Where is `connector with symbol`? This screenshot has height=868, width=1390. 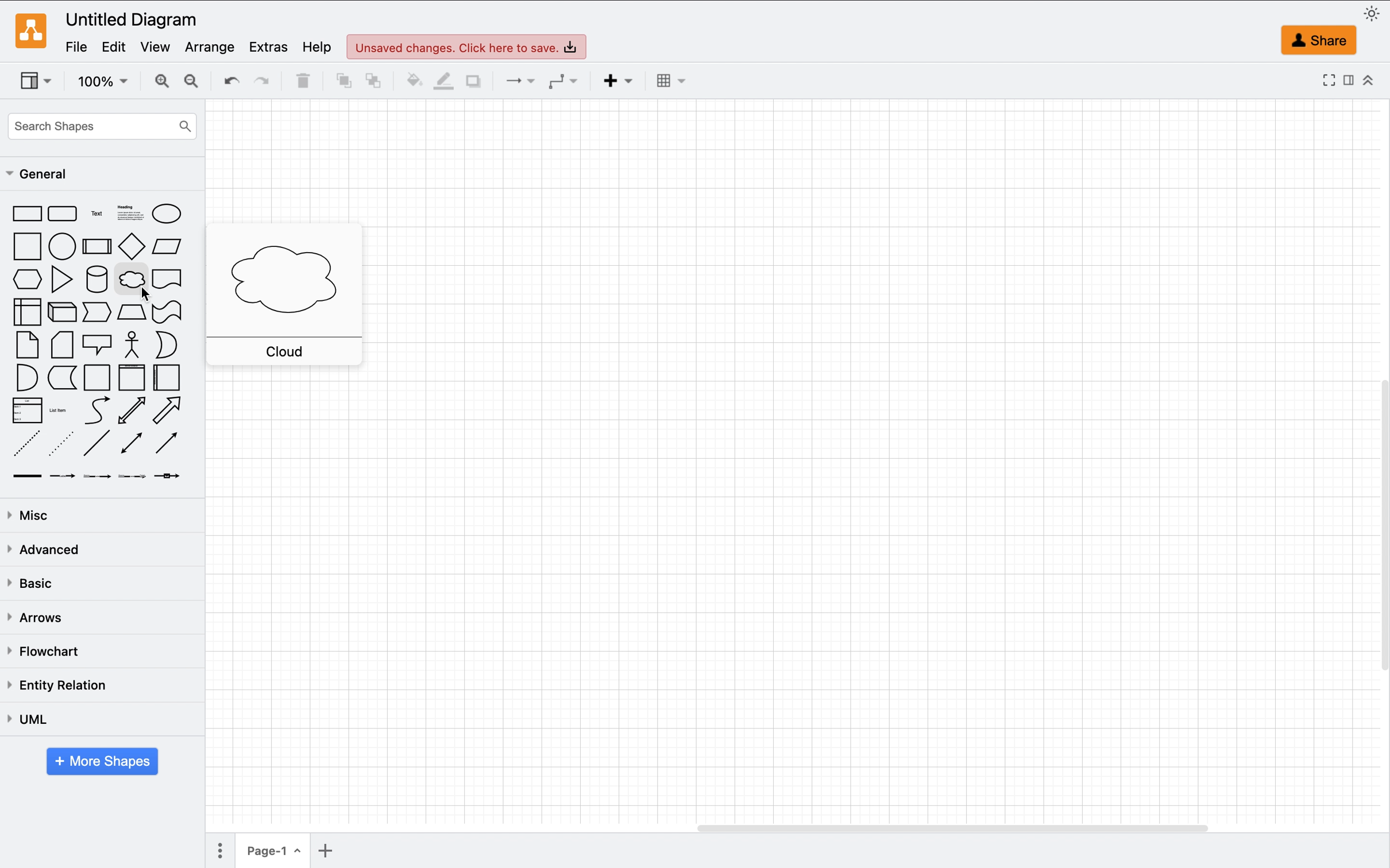
connector with symbol is located at coordinates (175, 476).